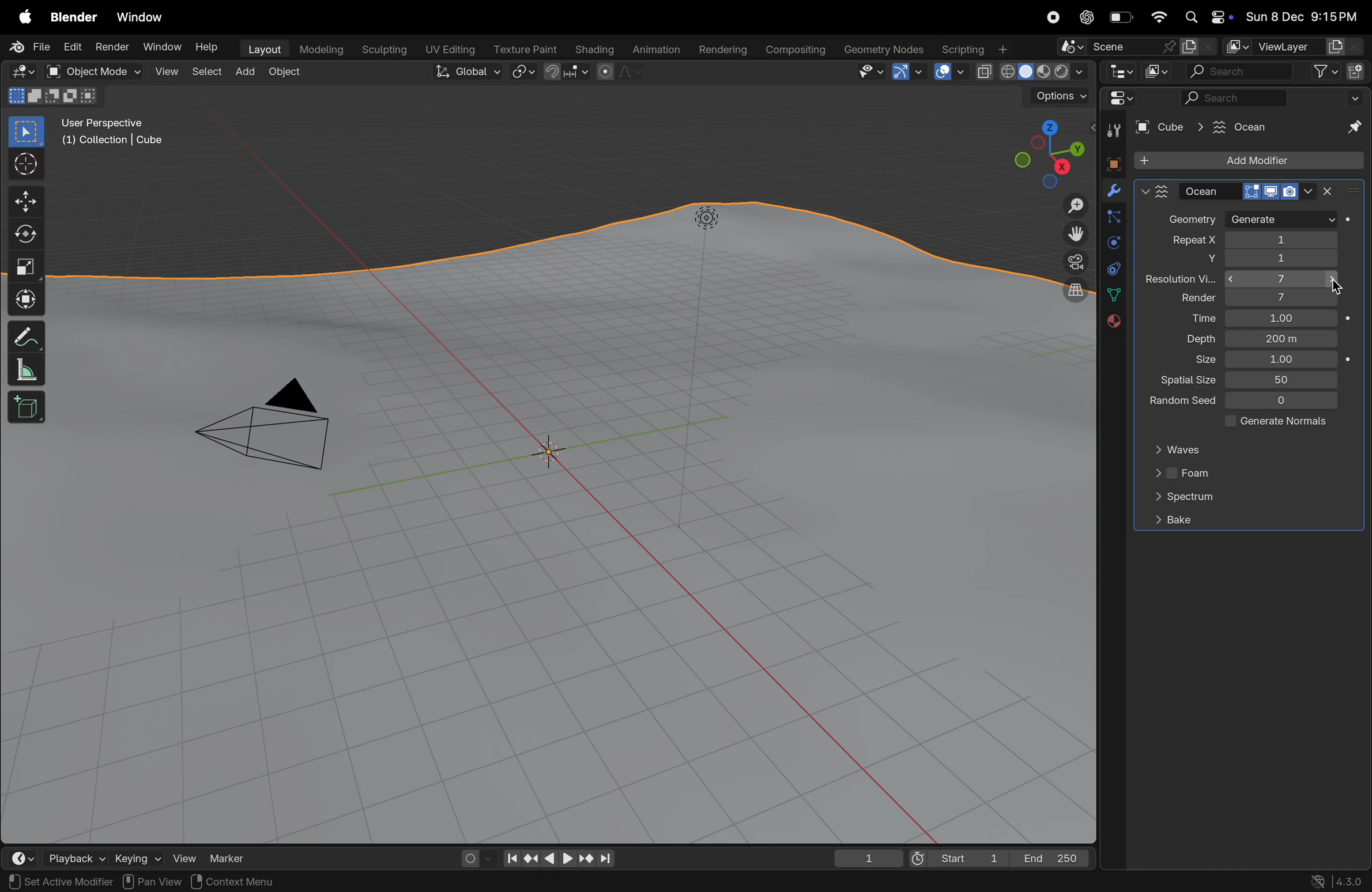 This screenshot has height=892, width=1372. I want to click on size, so click(1197, 361).